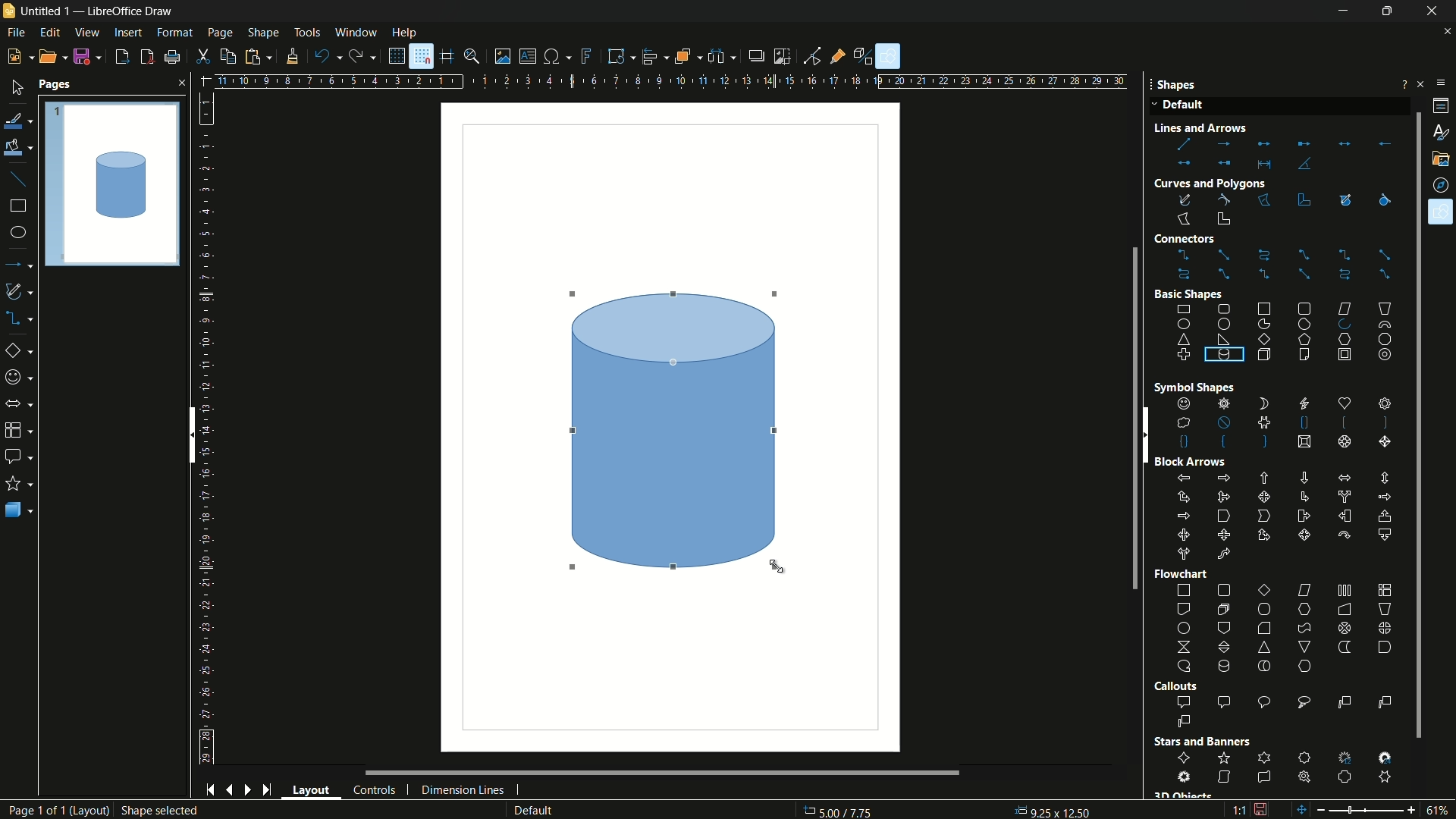 The height and width of the screenshot is (819, 1456). I want to click on Flowchart, so click(1183, 574).